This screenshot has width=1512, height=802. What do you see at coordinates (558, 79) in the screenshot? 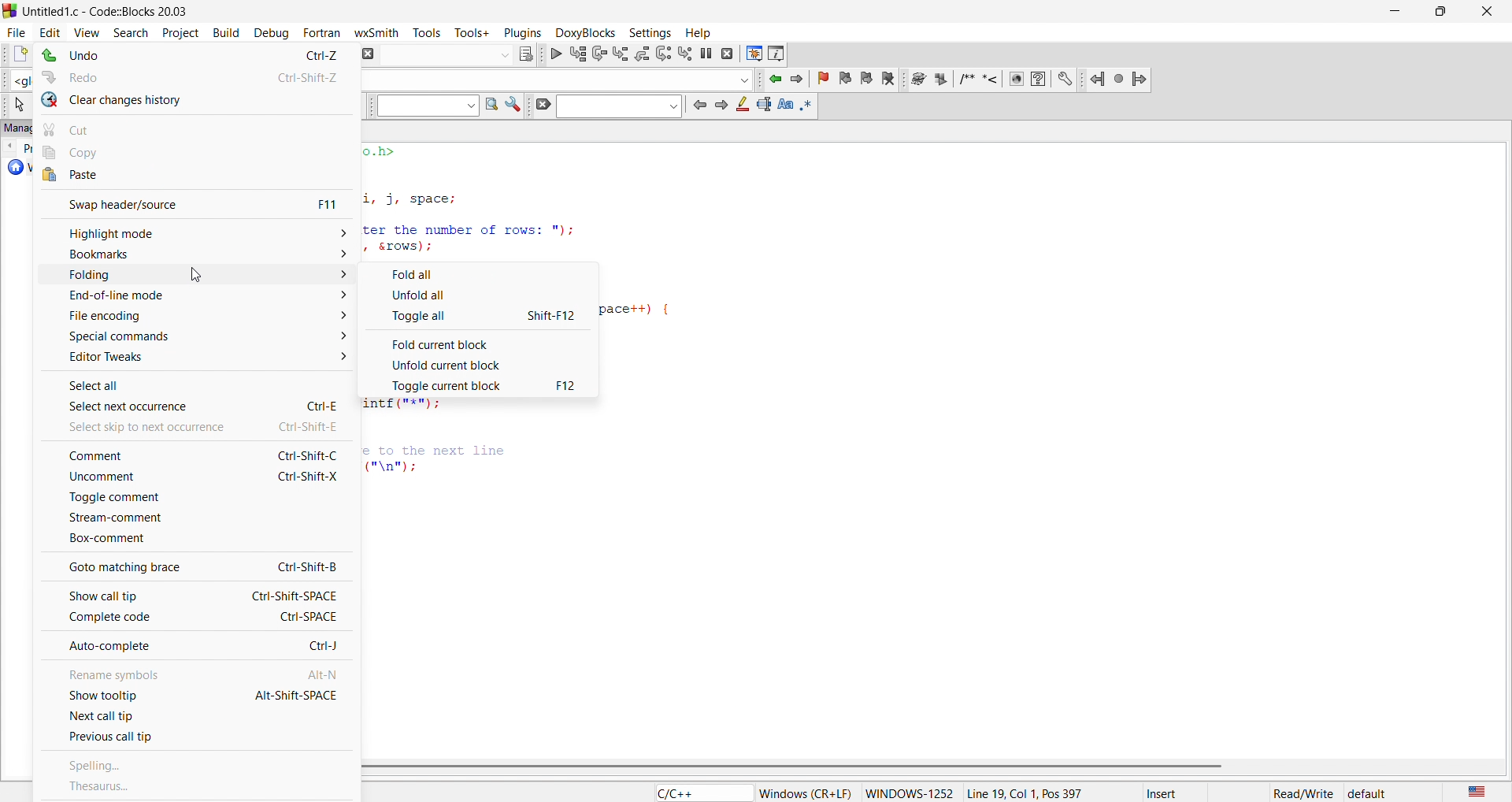
I see `function select` at bounding box center [558, 79].